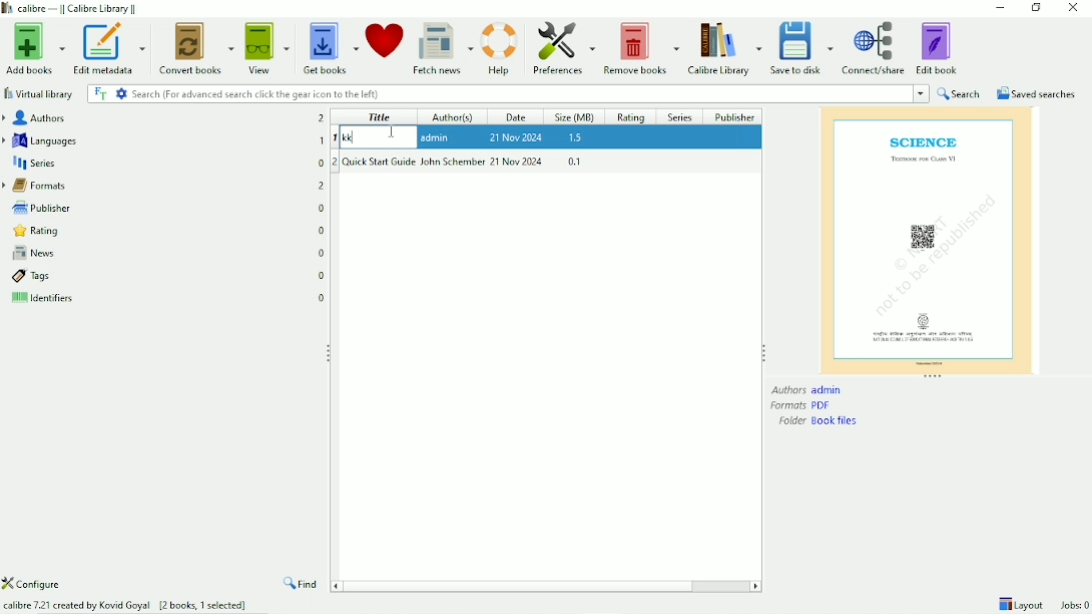  I want to click on Calibre Library, so click(723, 48).